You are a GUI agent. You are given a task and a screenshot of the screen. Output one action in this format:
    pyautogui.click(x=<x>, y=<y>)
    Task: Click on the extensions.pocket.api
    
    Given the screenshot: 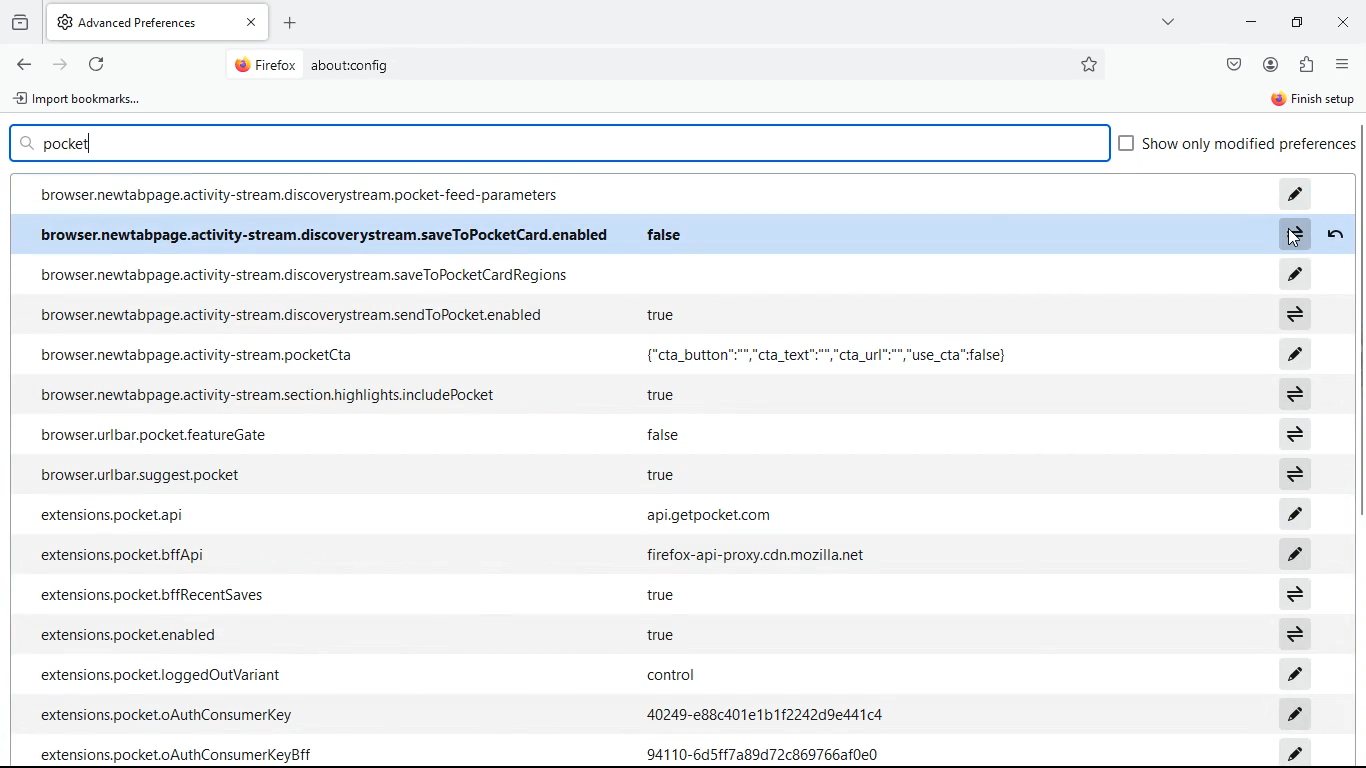 What is the action you would take?
    pyautogui.click(x=113, y=516)
    